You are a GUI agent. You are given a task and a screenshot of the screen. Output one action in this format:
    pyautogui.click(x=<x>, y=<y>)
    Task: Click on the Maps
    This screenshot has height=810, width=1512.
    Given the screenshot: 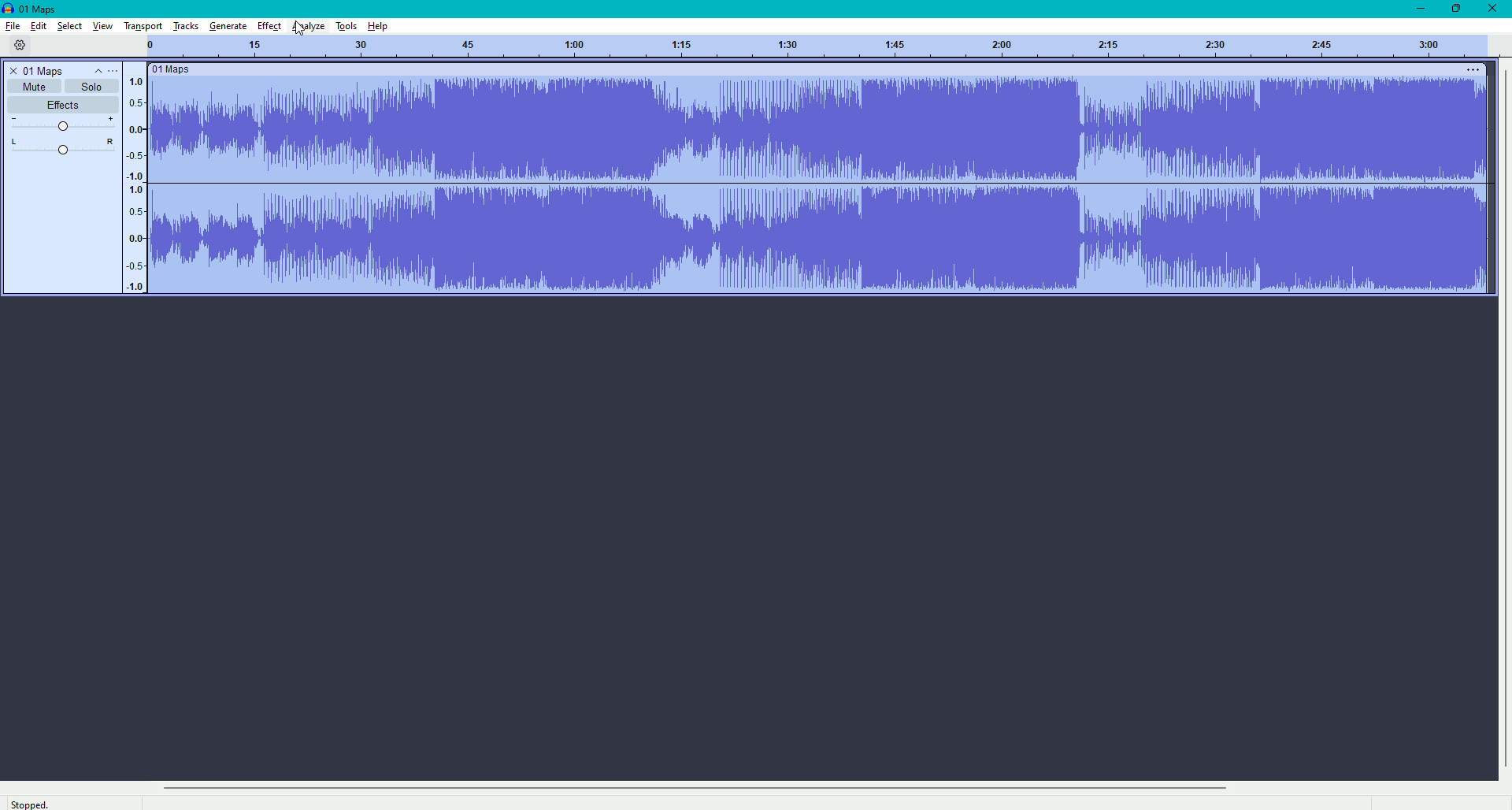 What is the action you would take?
    pyautogui.click(x=175, y=68)
    